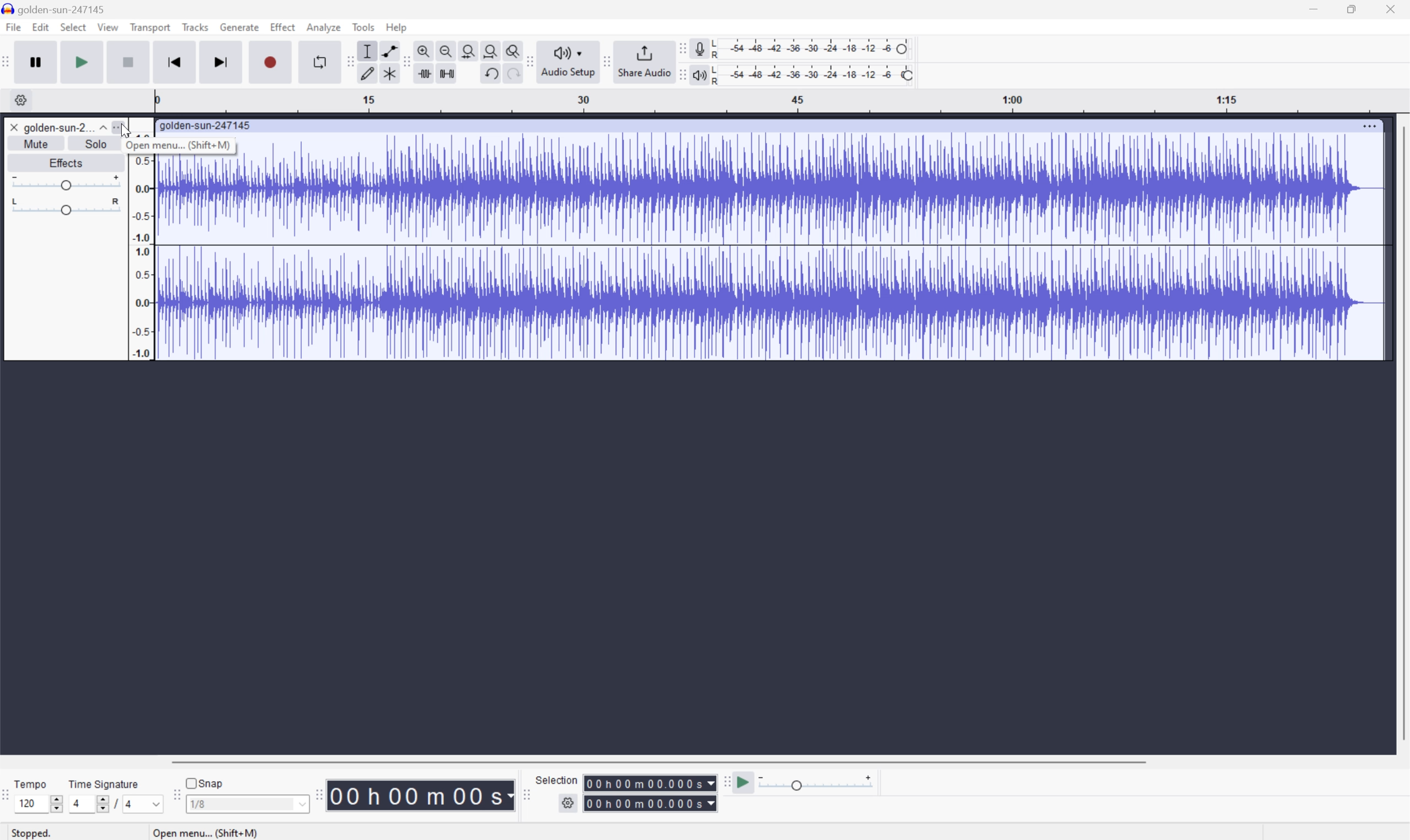 The height and width of the screenshot is (840, 1410). Describe the element at coordinates (204, 831) in the screenshot. I see `Open menu... (Shift+M)` at that location.